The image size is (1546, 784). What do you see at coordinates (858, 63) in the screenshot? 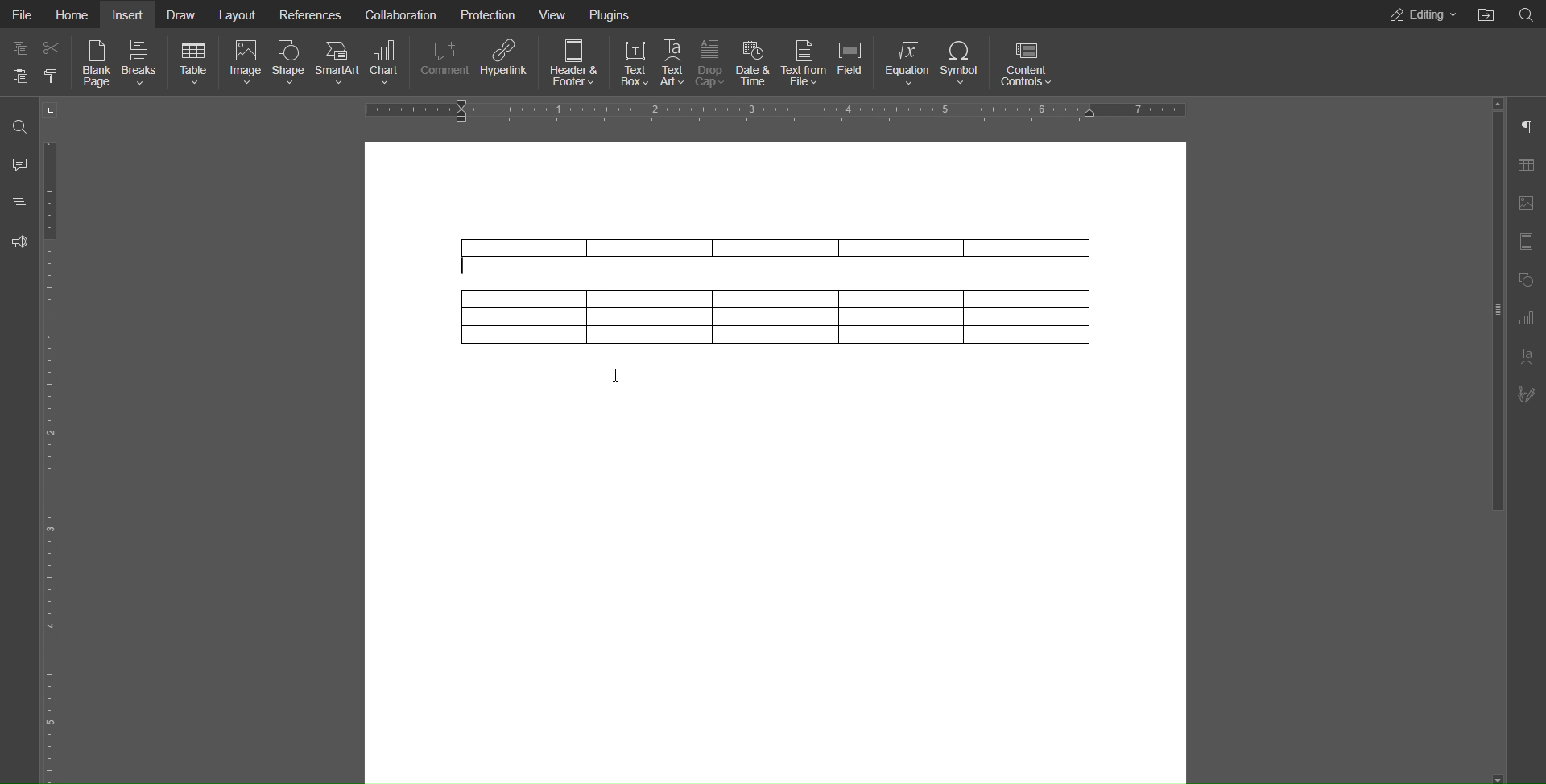
I see `Field` at bounding box center [858, 63].